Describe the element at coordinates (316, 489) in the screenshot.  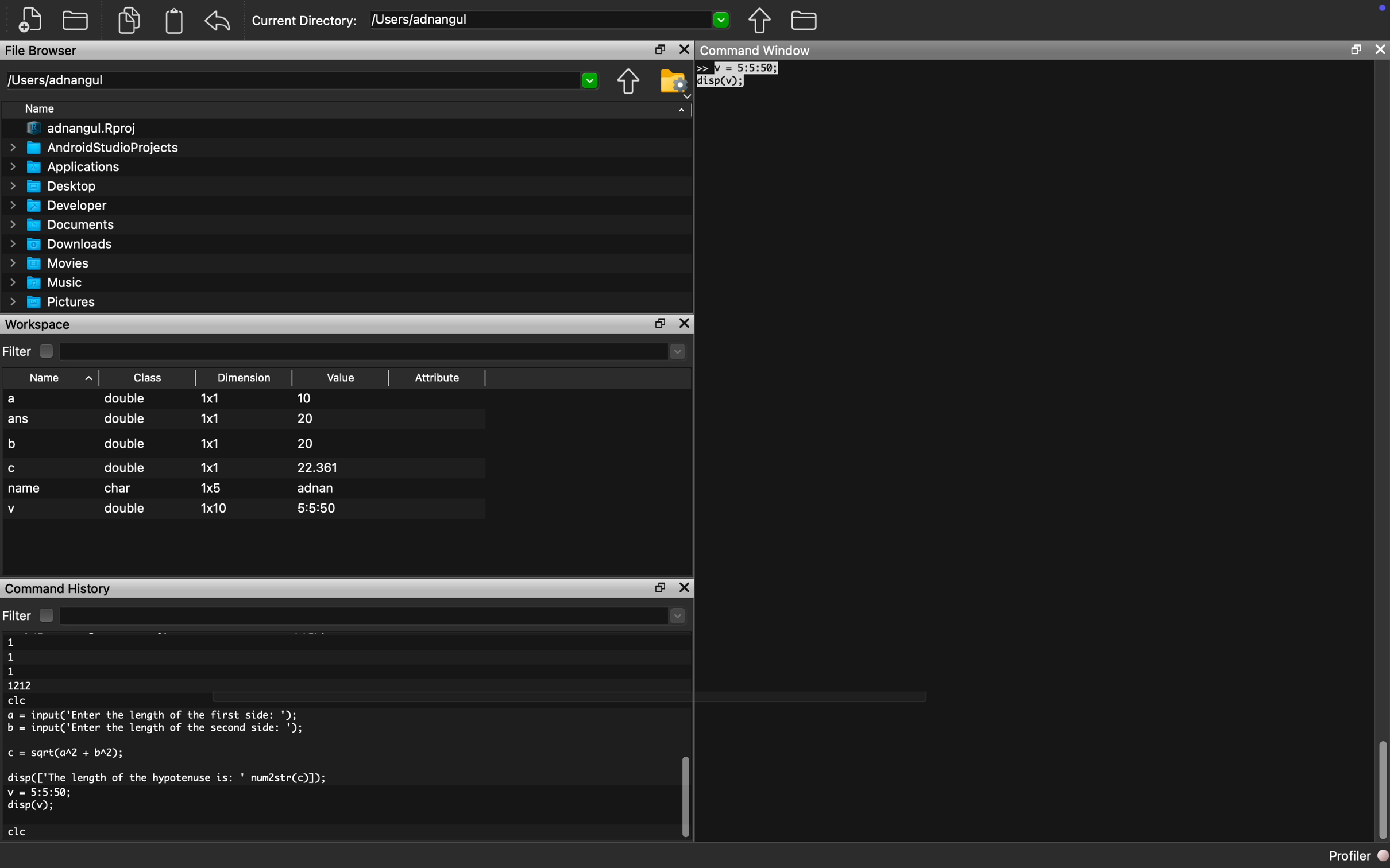
I see `adnan` at that location.